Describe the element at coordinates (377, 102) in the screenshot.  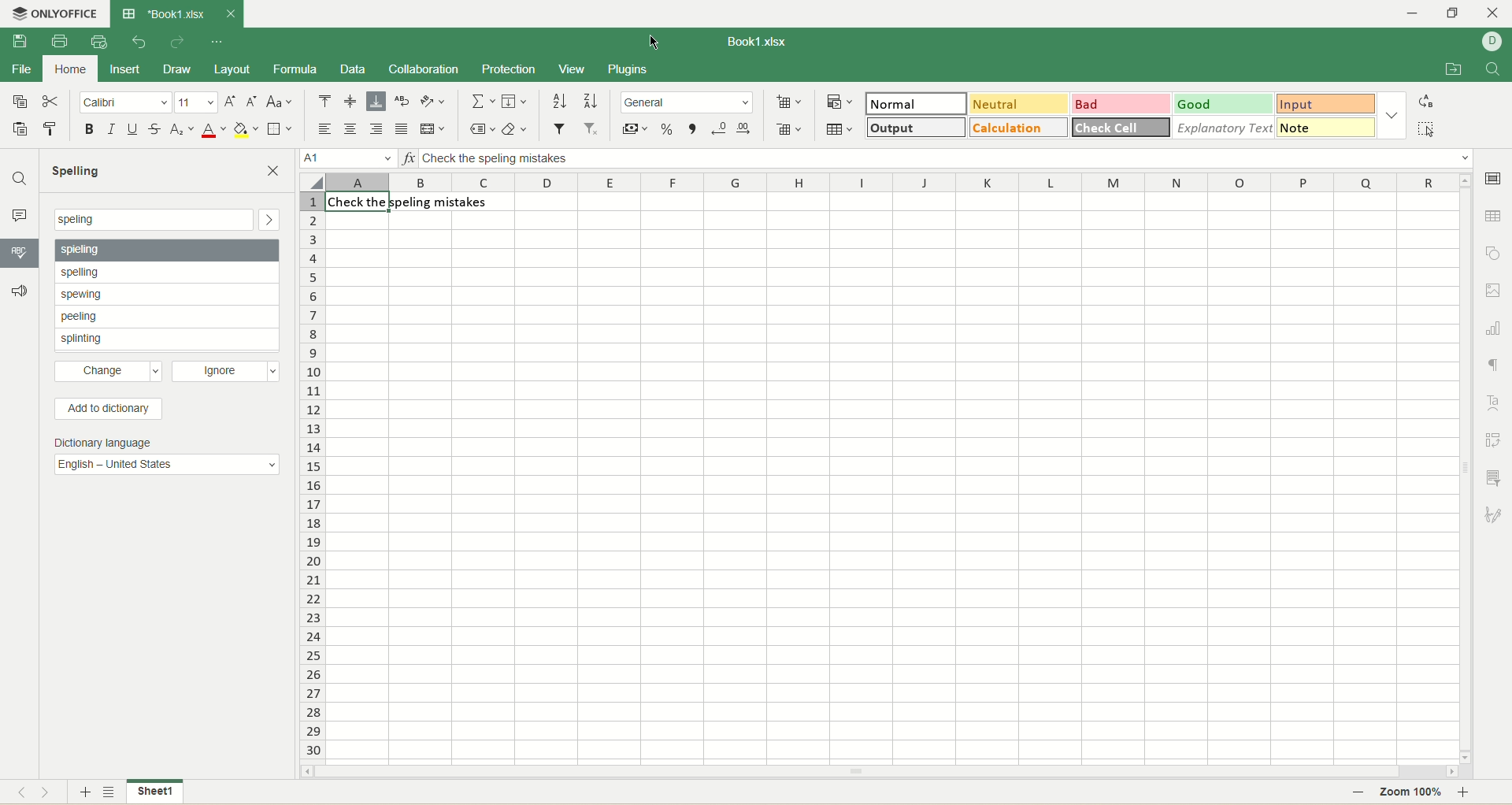
I see `align bottom` at that location.